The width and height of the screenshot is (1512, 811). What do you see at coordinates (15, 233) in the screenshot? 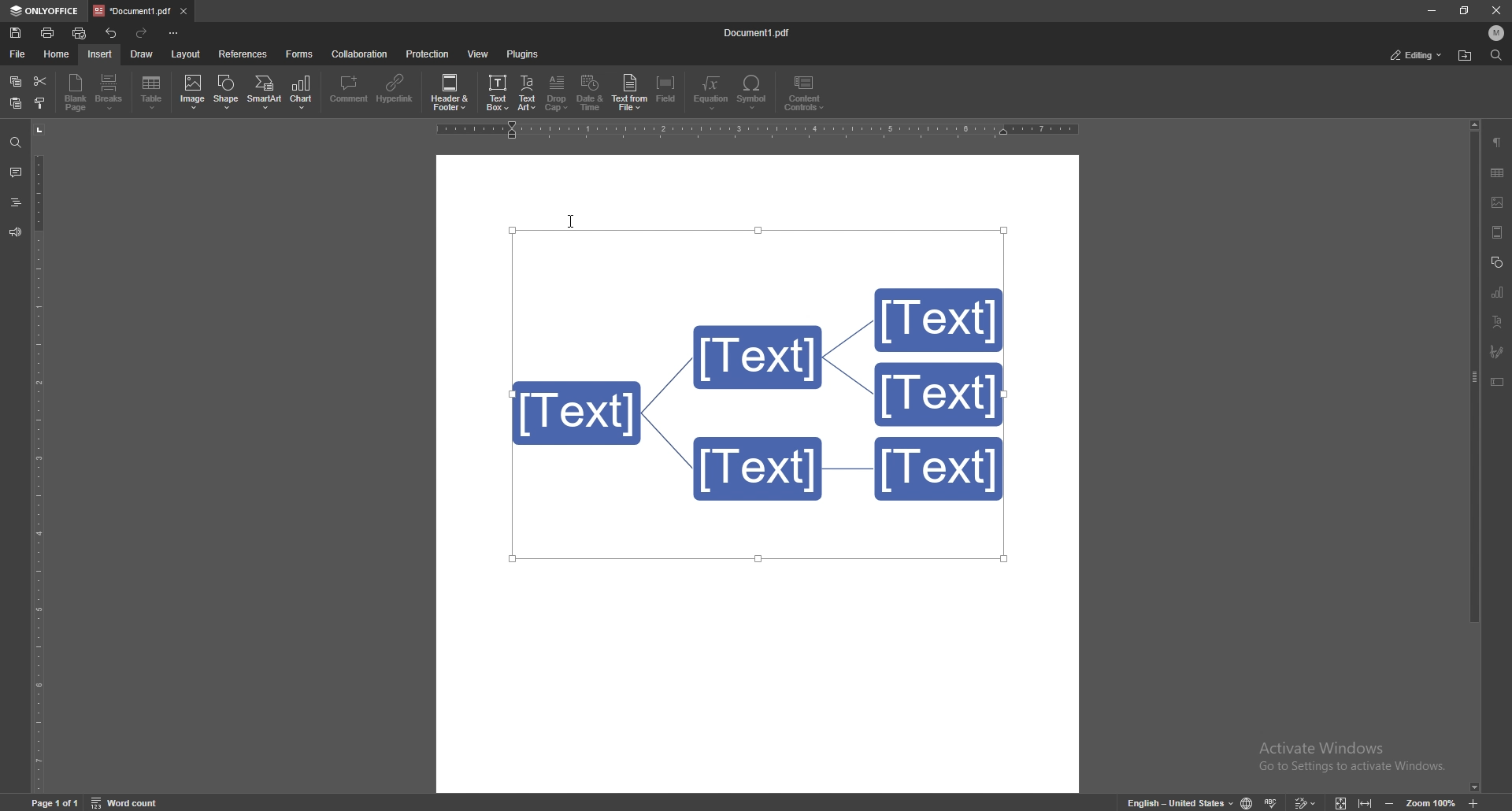
I see `feedback` at bounding box center [15, 233].